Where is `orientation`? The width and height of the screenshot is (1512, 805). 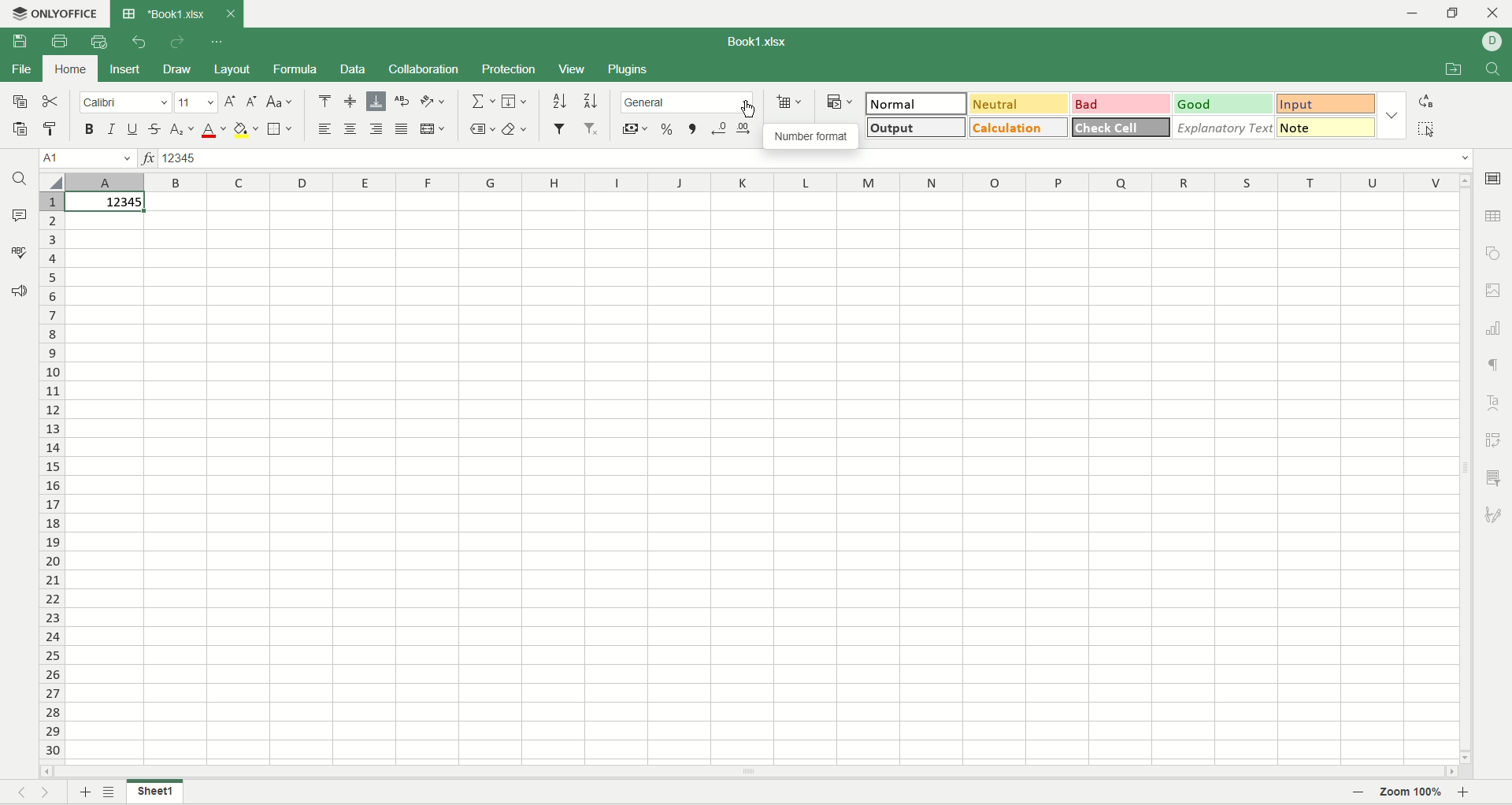
orientation is located at coordinates (430, 100).